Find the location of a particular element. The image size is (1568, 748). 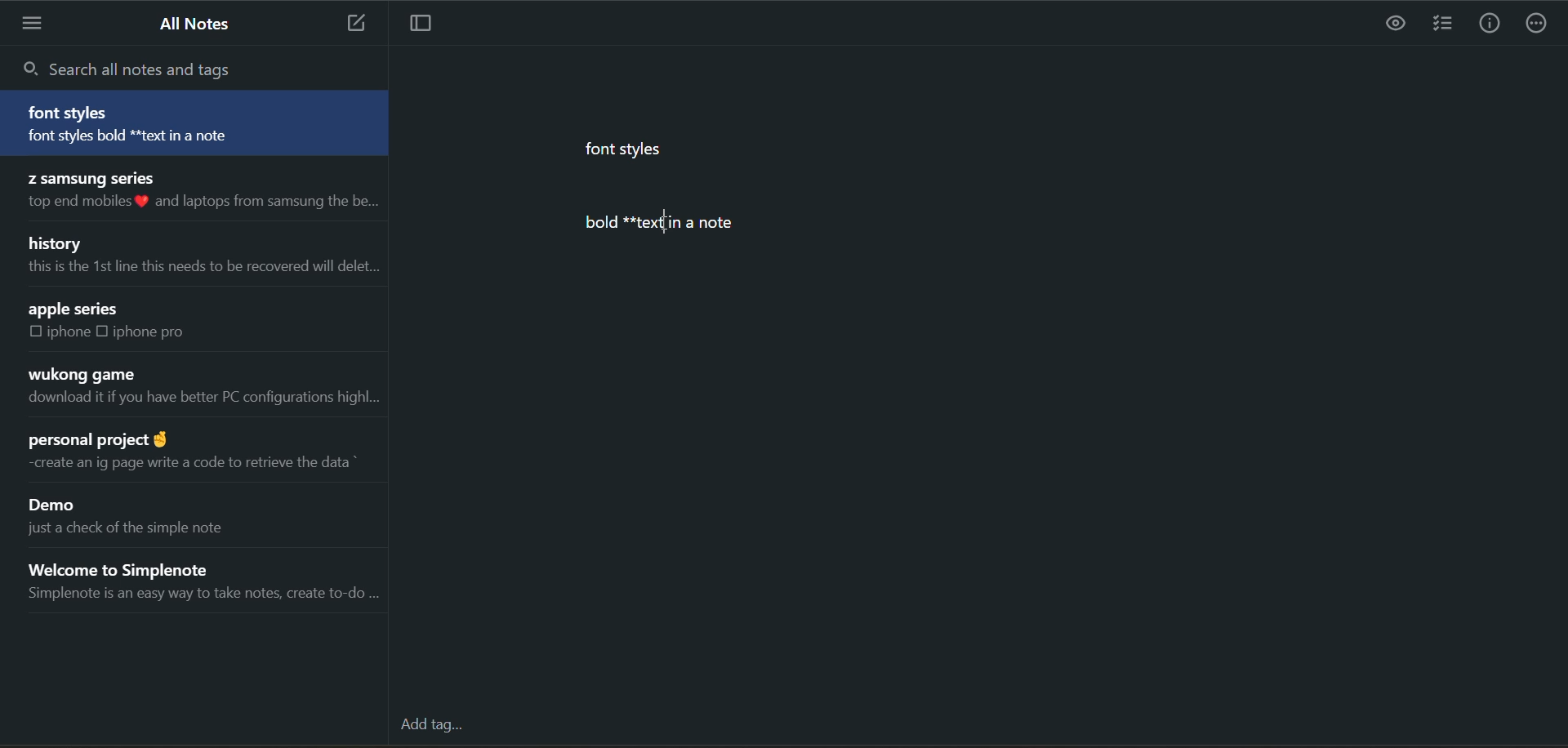

insert checklist is located at coordinates (1443, 25).